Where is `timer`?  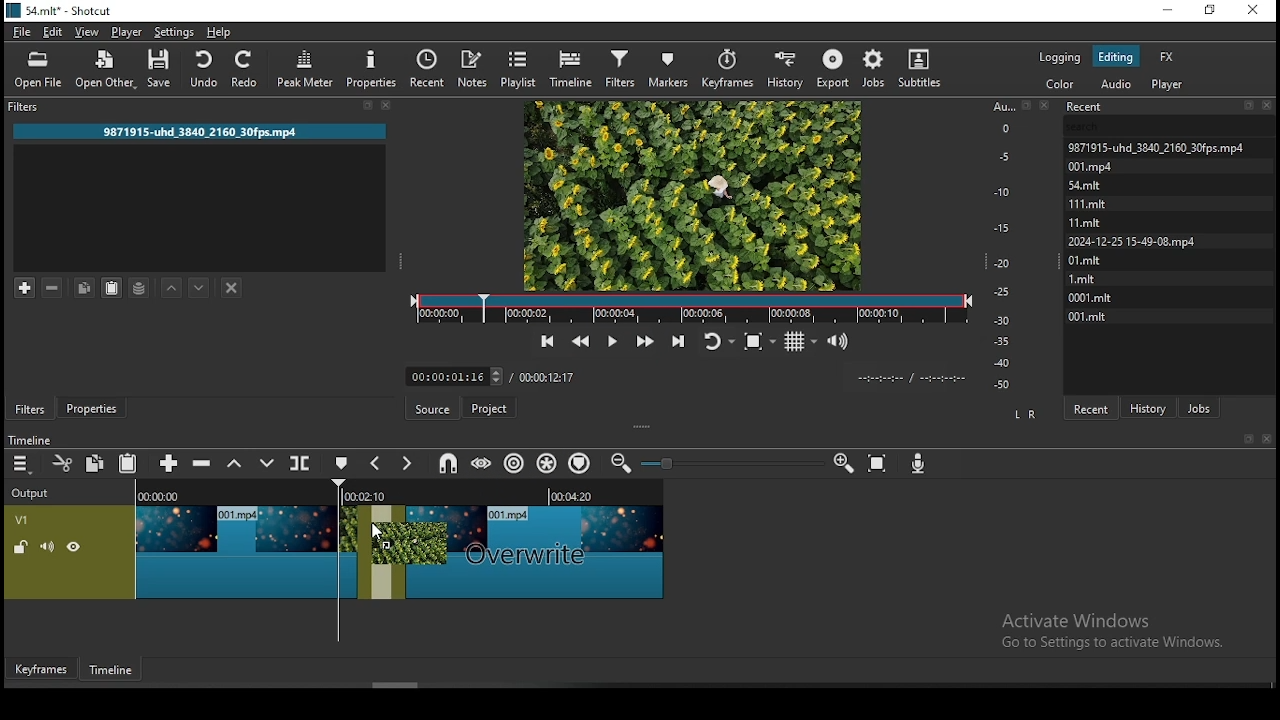
timer is located at coordinates (907, 377).